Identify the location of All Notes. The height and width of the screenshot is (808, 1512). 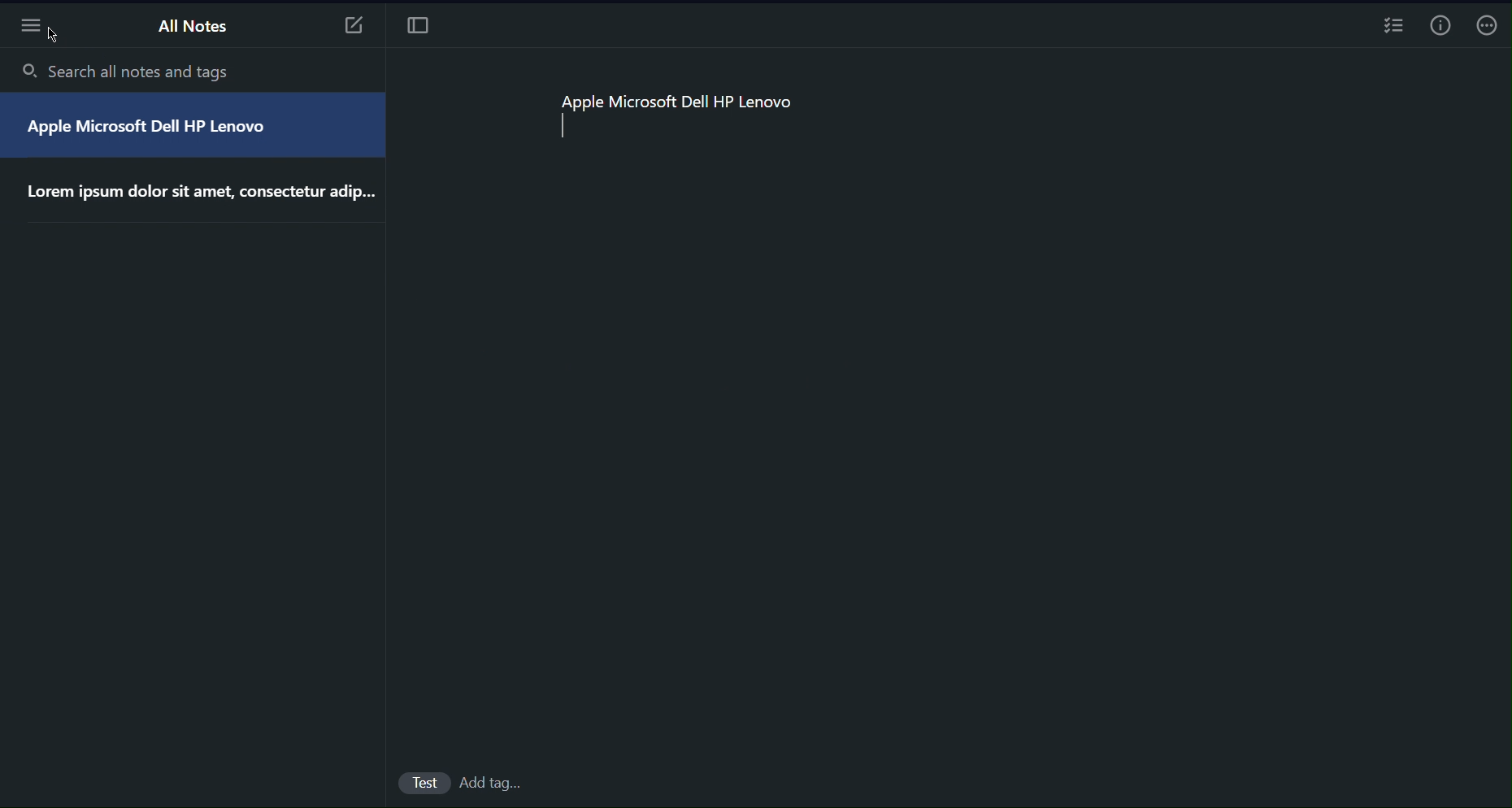
(189, 29).